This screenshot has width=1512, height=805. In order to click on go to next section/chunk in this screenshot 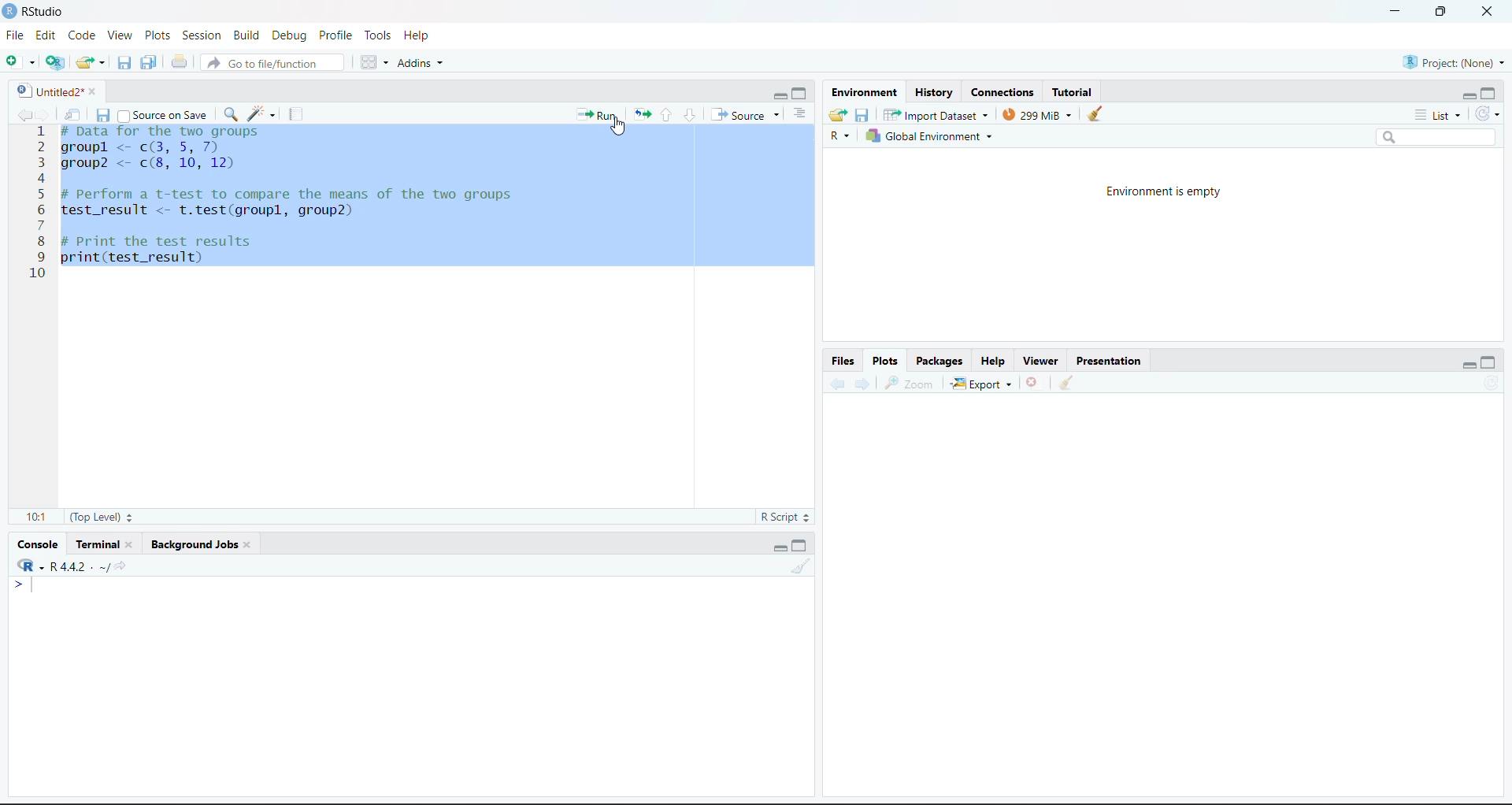, I will do `click(691, 116)`.